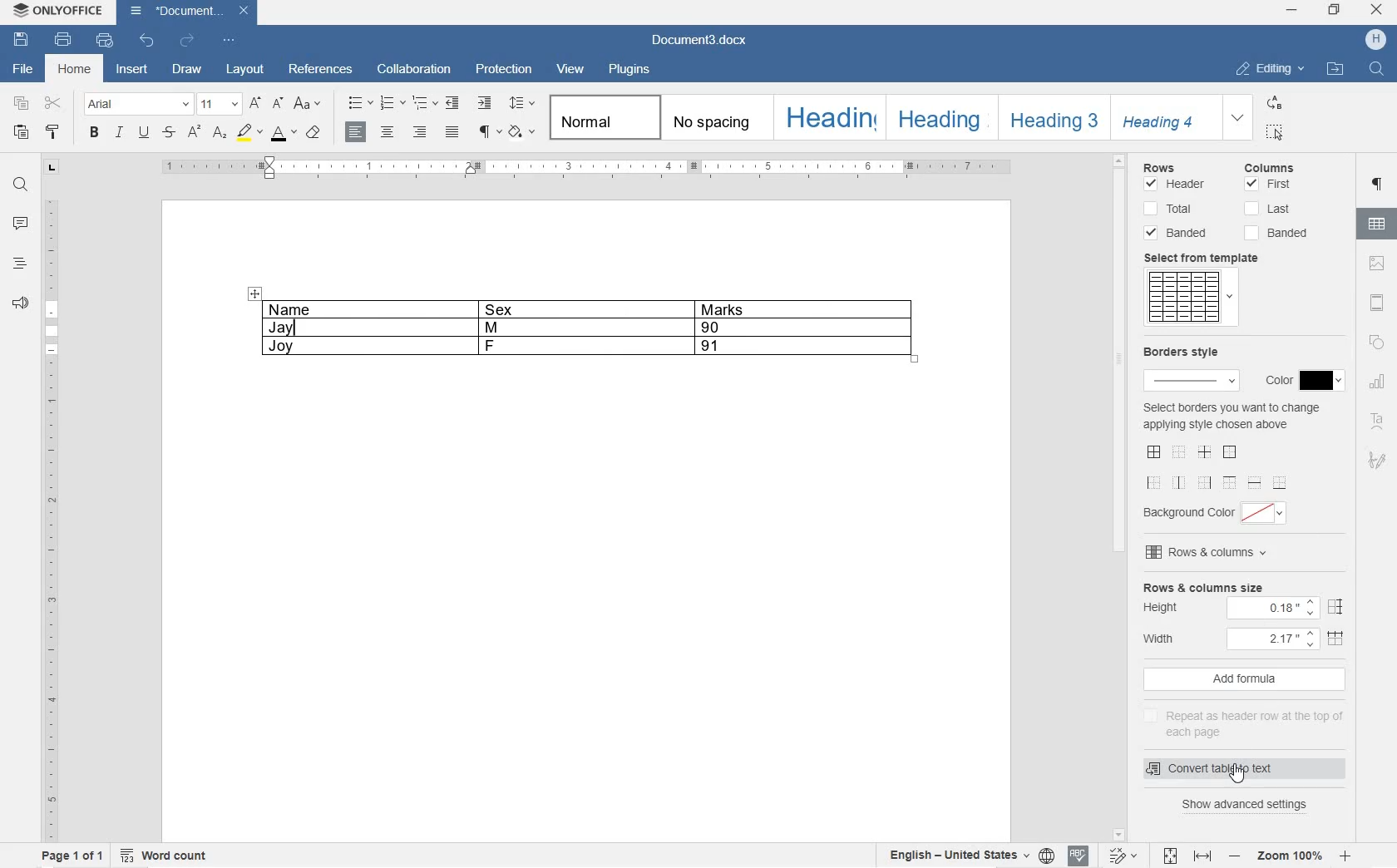 The width and height of the screenshot is (1397, 868). Describe the element at coordinates (119, 134) in the screenshot. I see `ITALIC` at that location.